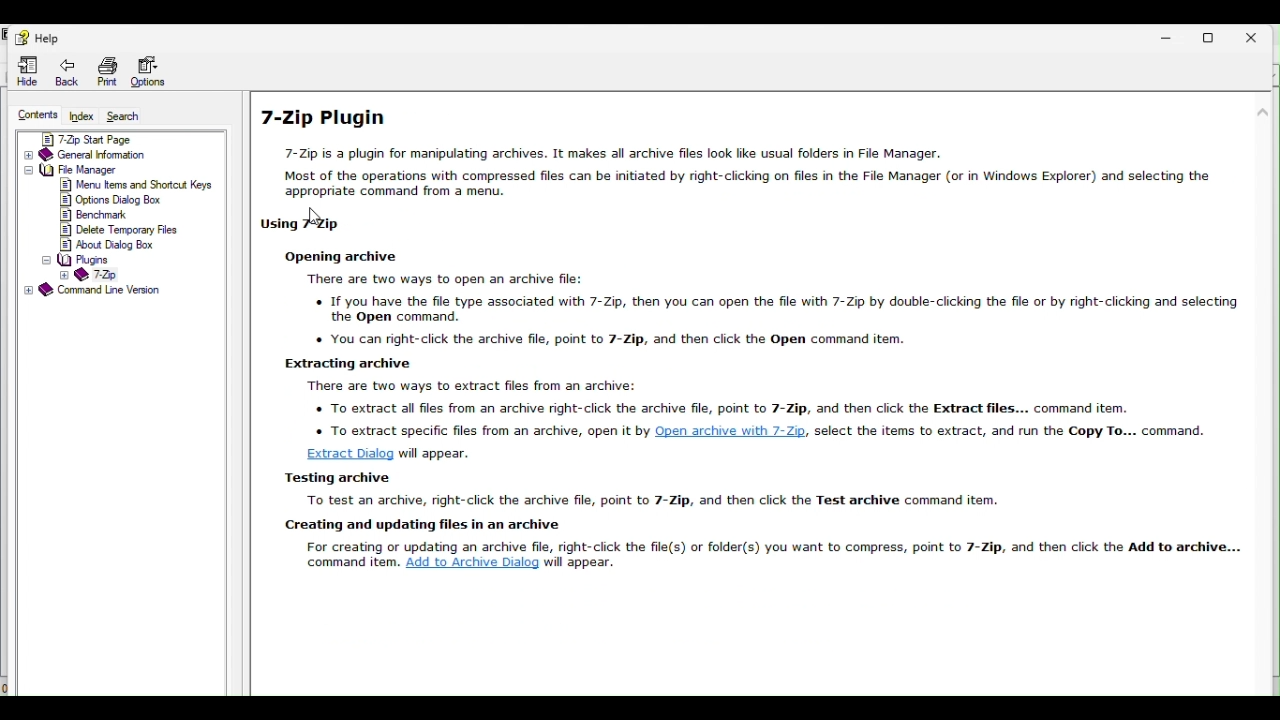  I want to click on | Using 7-Zip, so click(298, 225).